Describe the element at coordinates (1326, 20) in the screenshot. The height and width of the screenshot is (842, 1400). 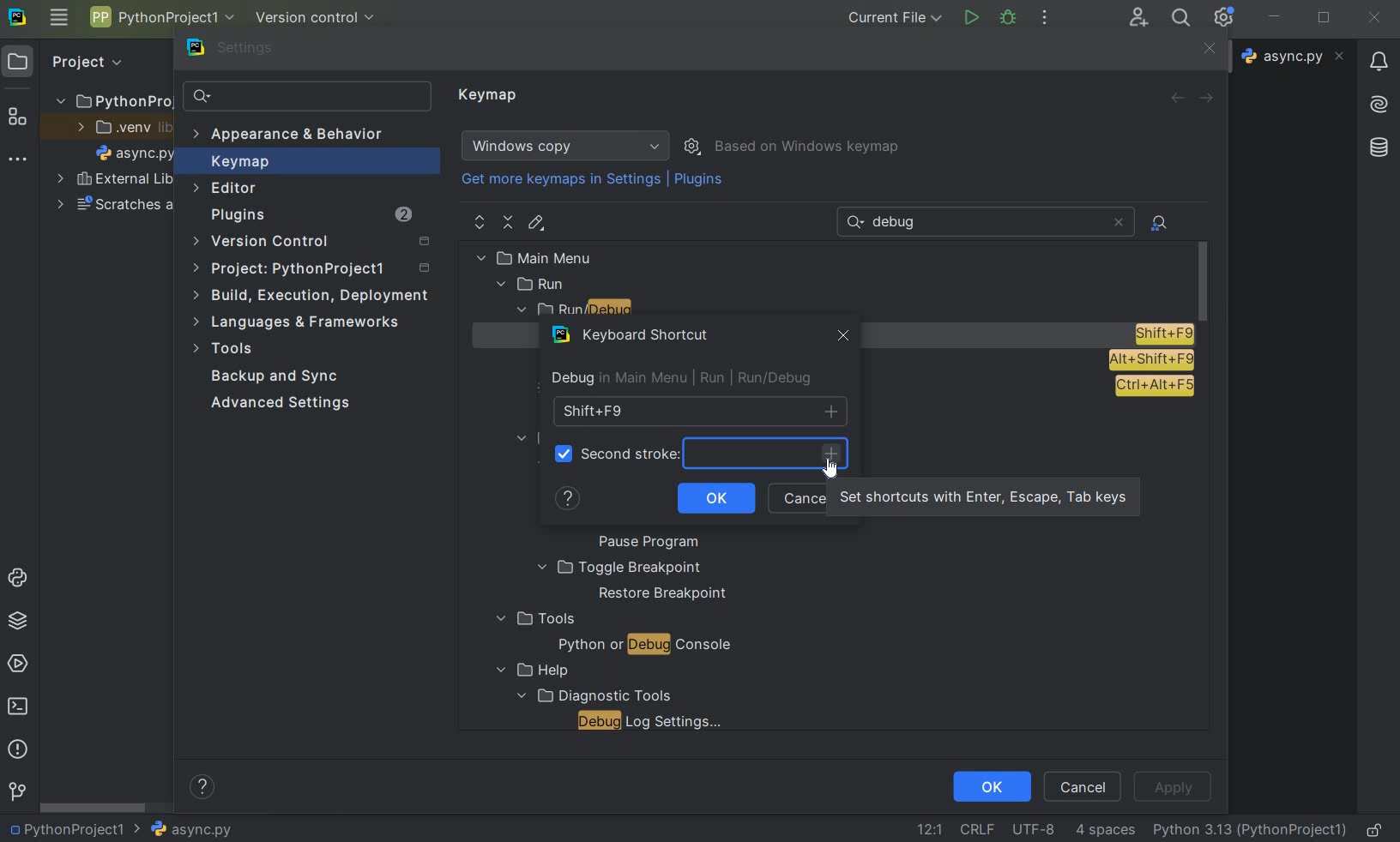
I see `restore down` at that location.